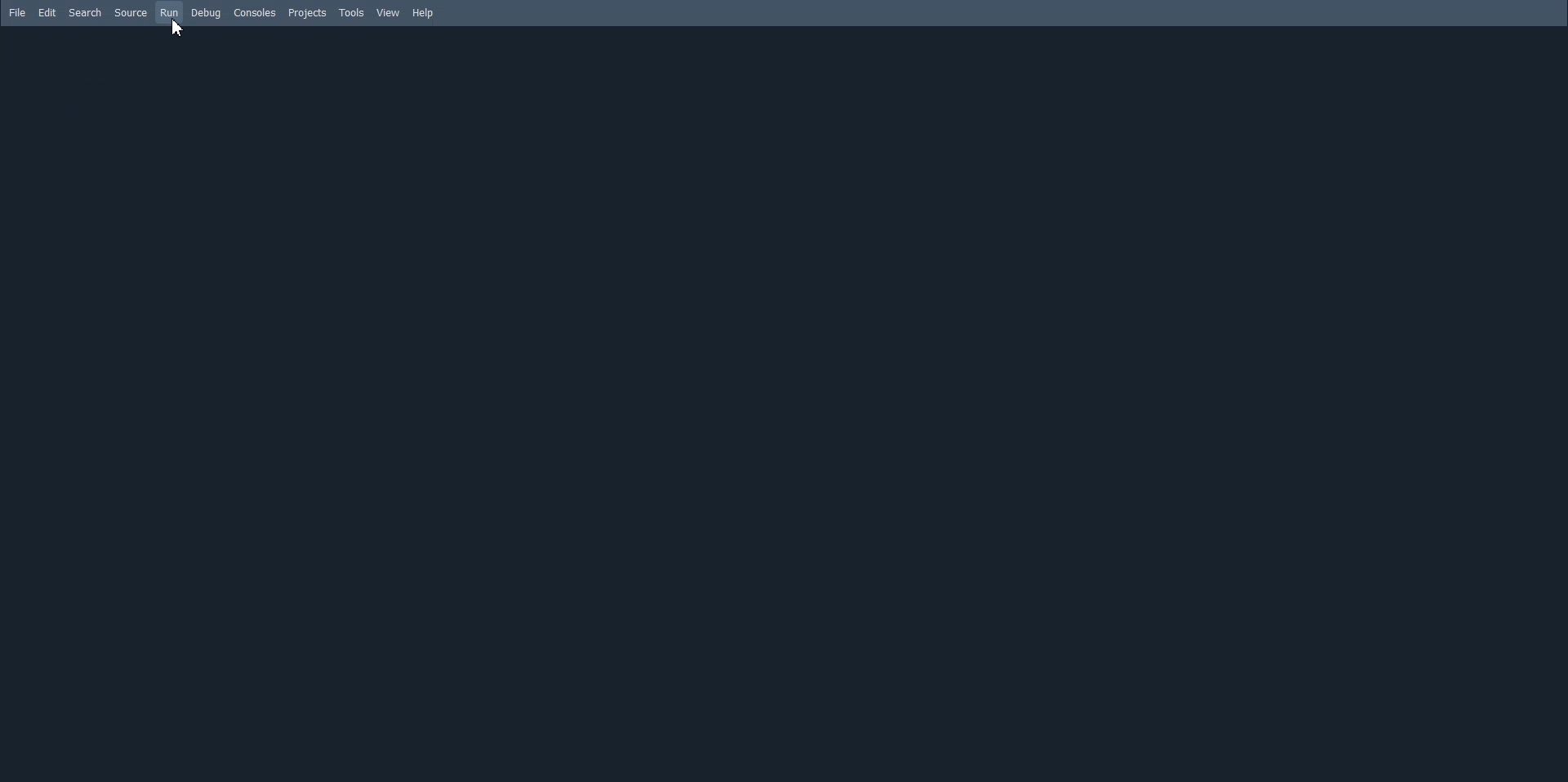 This screenshot has width=1568, height=782. What do you see at coordinates (17, 11) in the screenshot?
I see `File` at bounding box center [17, 11].